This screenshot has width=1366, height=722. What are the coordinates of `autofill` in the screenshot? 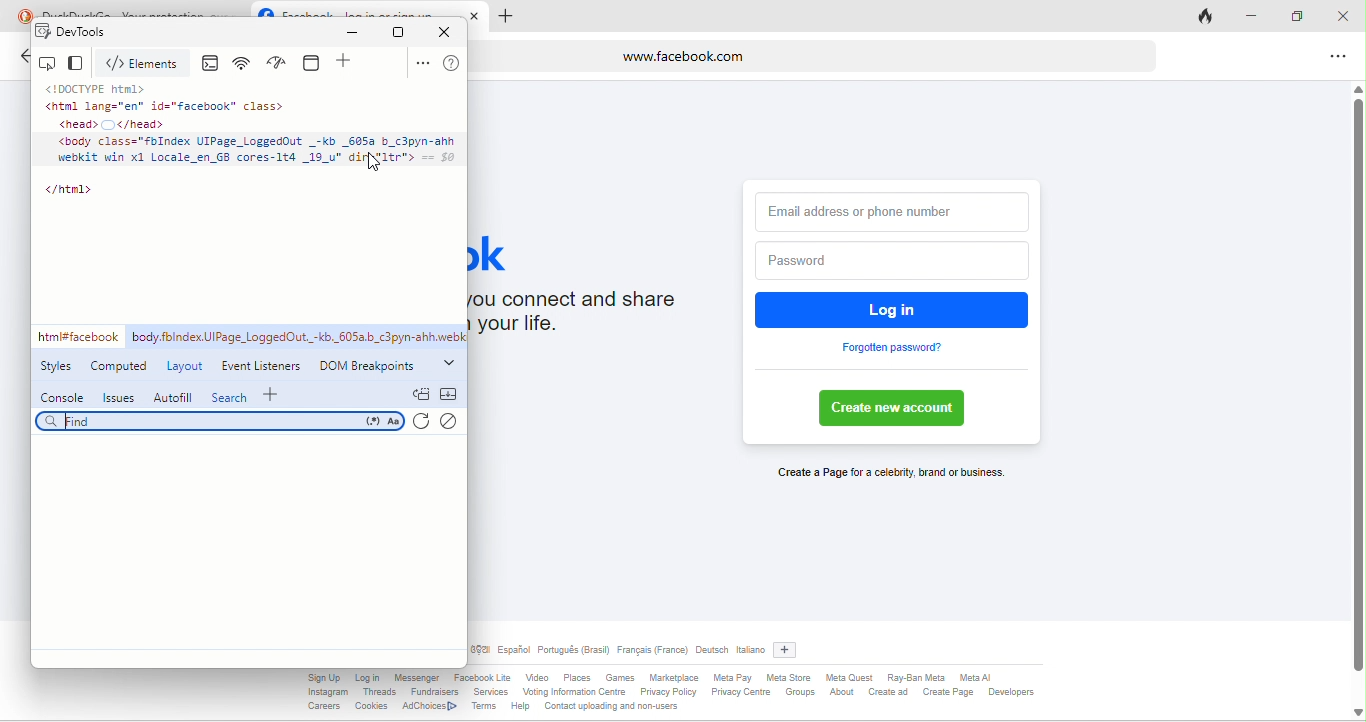 It's located at (172, 396).